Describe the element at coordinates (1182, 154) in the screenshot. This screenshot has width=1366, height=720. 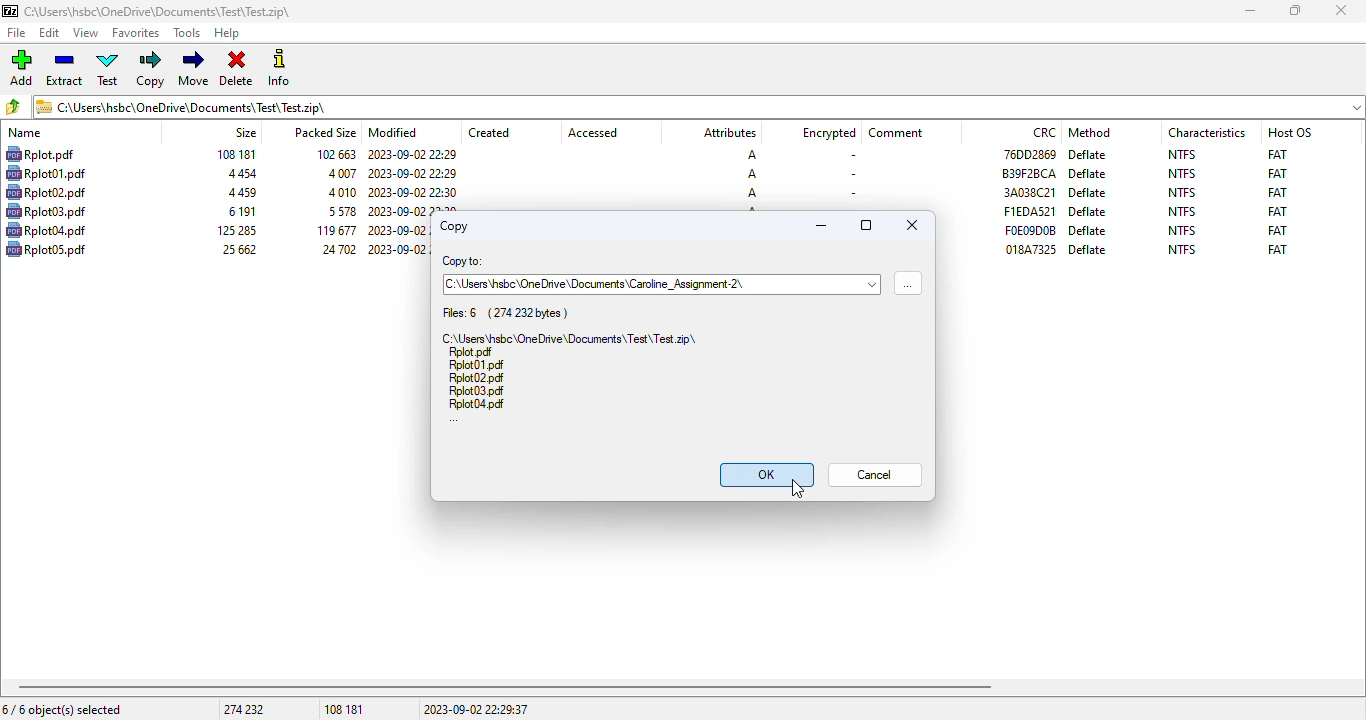
I see `NTFS` at that location.